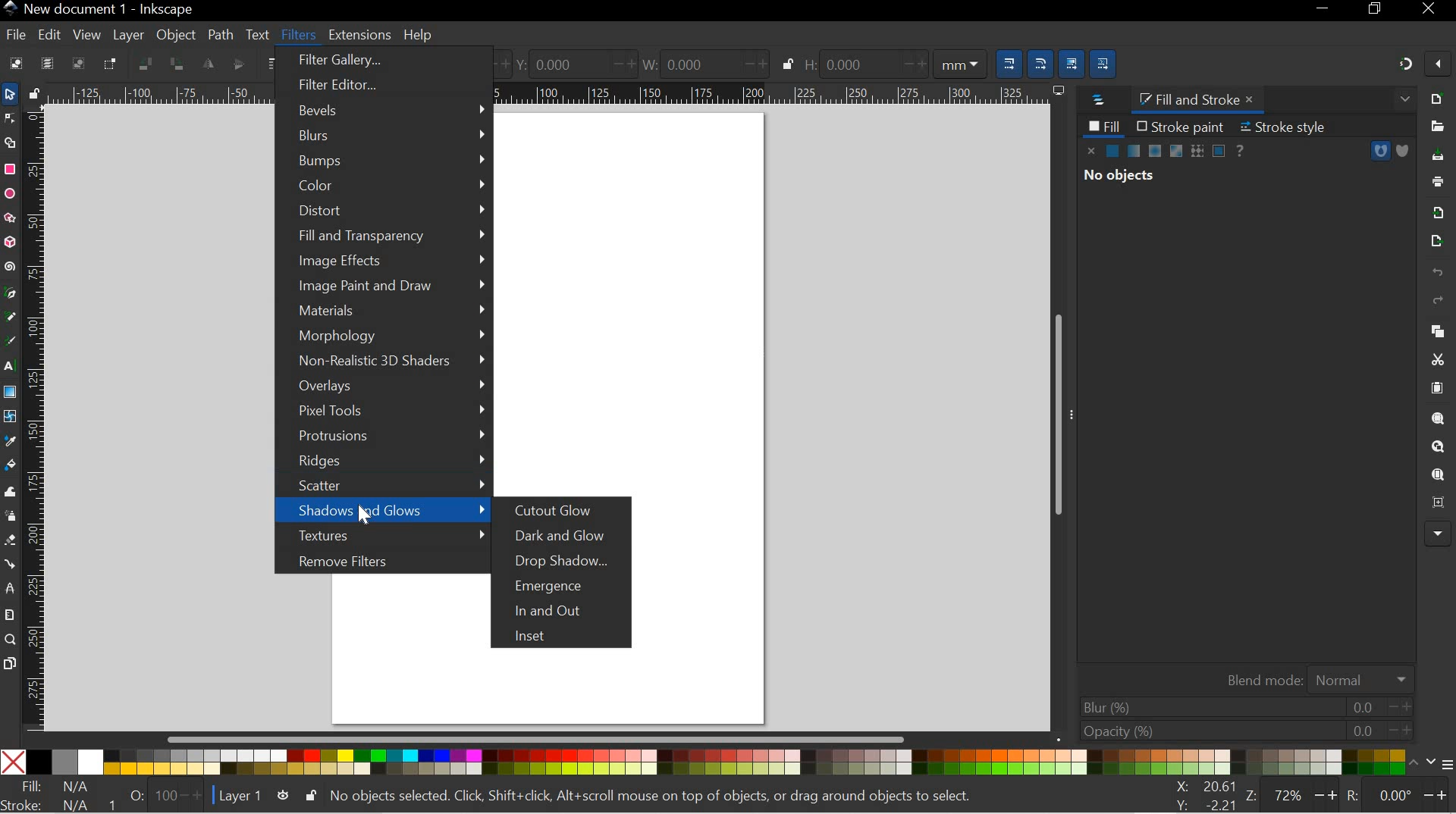 Image resolution: width=1456 pixels, height=814 pixels. Describe the element at coordinates (386, 286) in the screenshot. I see `IMAGE PAINT AND DRAW` at that location.